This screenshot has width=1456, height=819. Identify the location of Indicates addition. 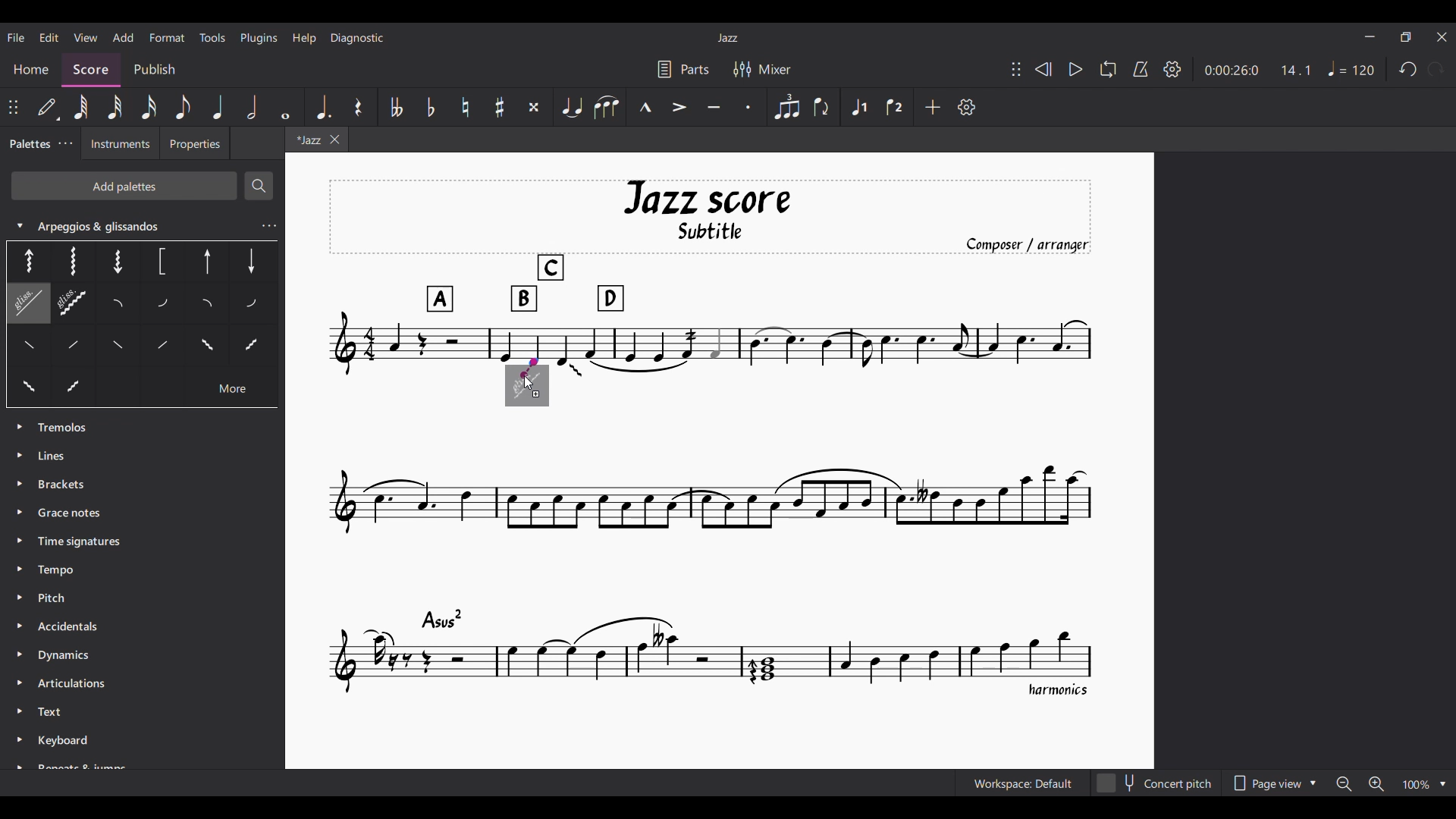
(536, 394).